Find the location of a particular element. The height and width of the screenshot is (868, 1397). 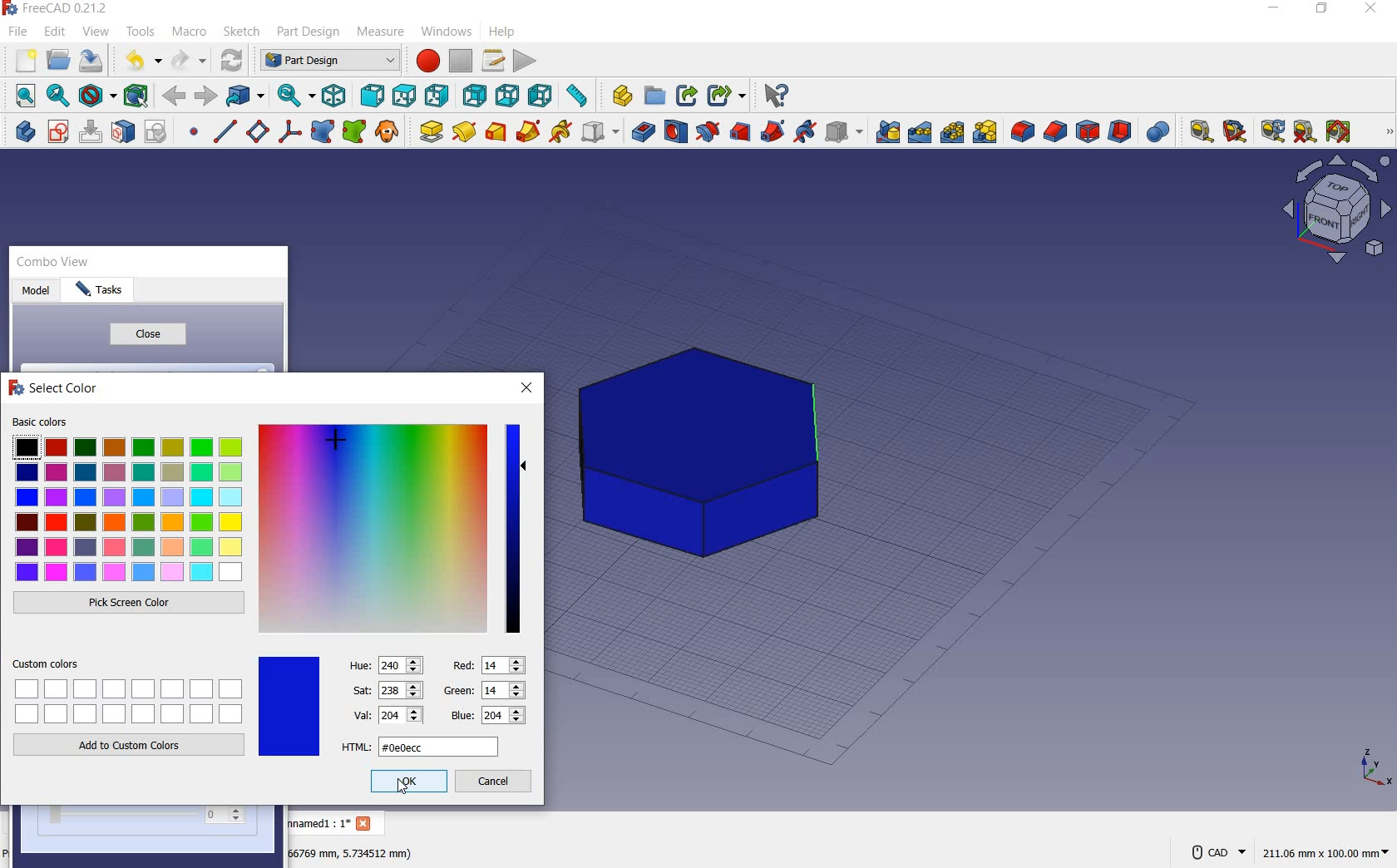

mirrored is located at coordinates (888, 131).